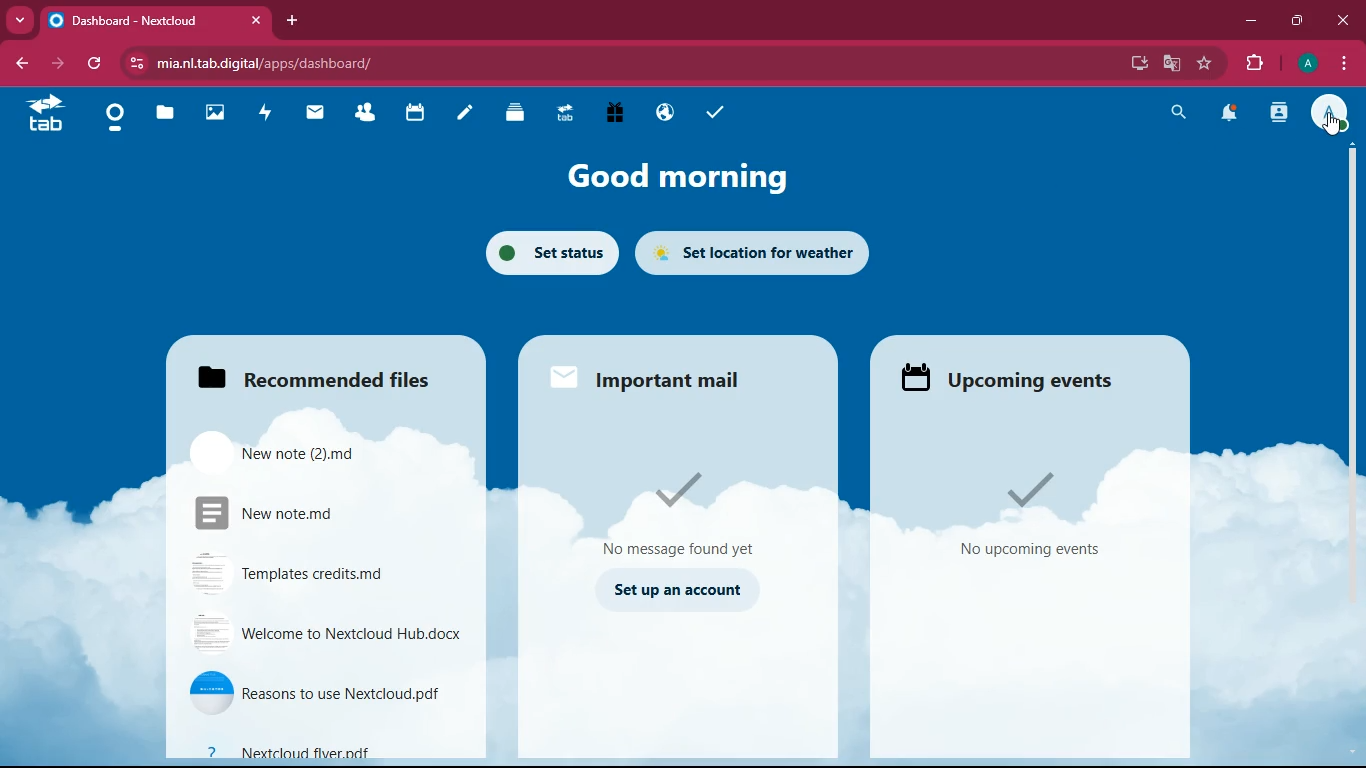  What do you see at coordinates (1328, 114) in the screenshot?
I see `profile` at bounding box center [1328, 114].